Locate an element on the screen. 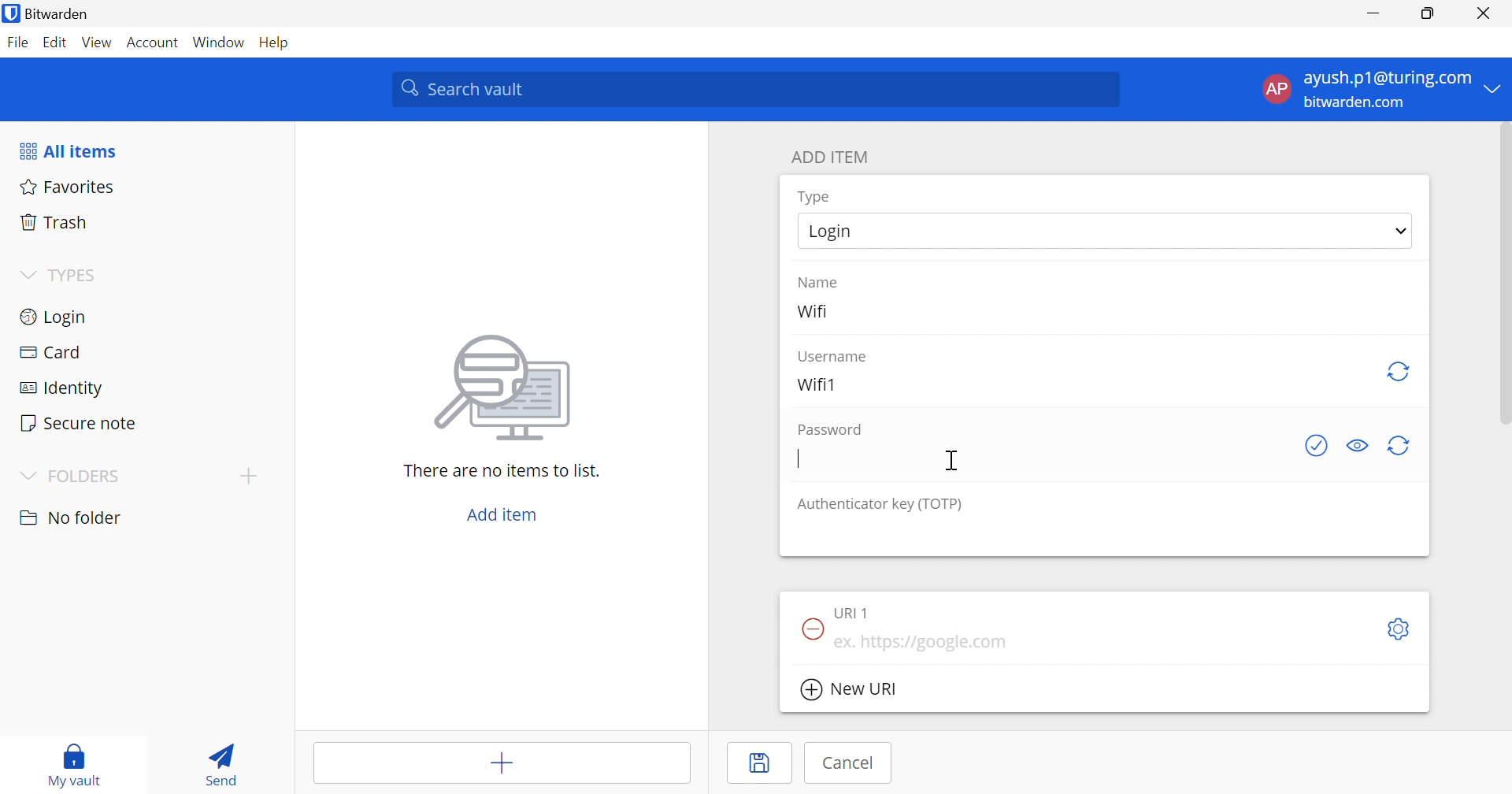 The height and width of the screenshot is (794, 1512). There are no items to list. is located at coordinates (503, 469).